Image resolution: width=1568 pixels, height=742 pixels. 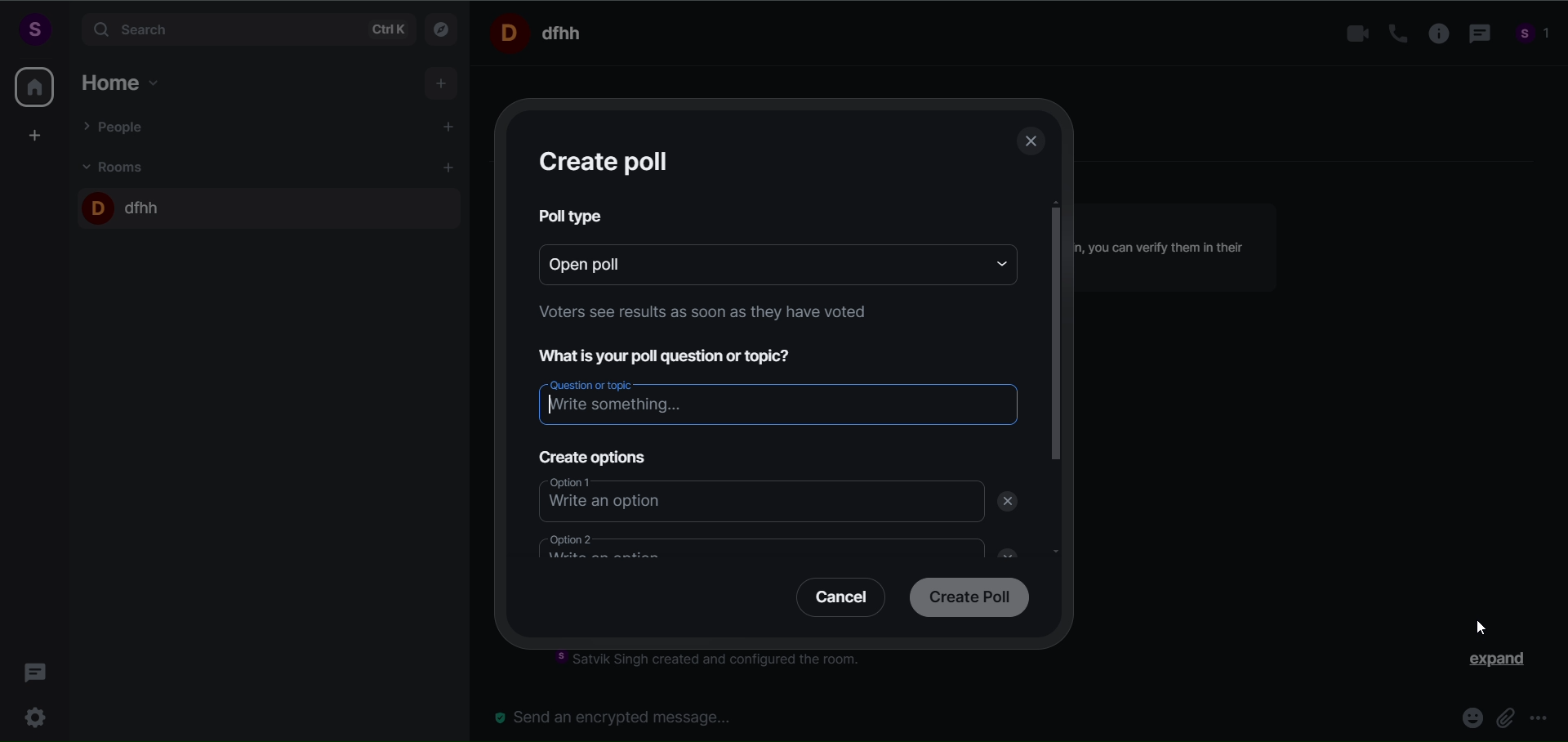 I want to click on room name, so click(x=542, y=32).